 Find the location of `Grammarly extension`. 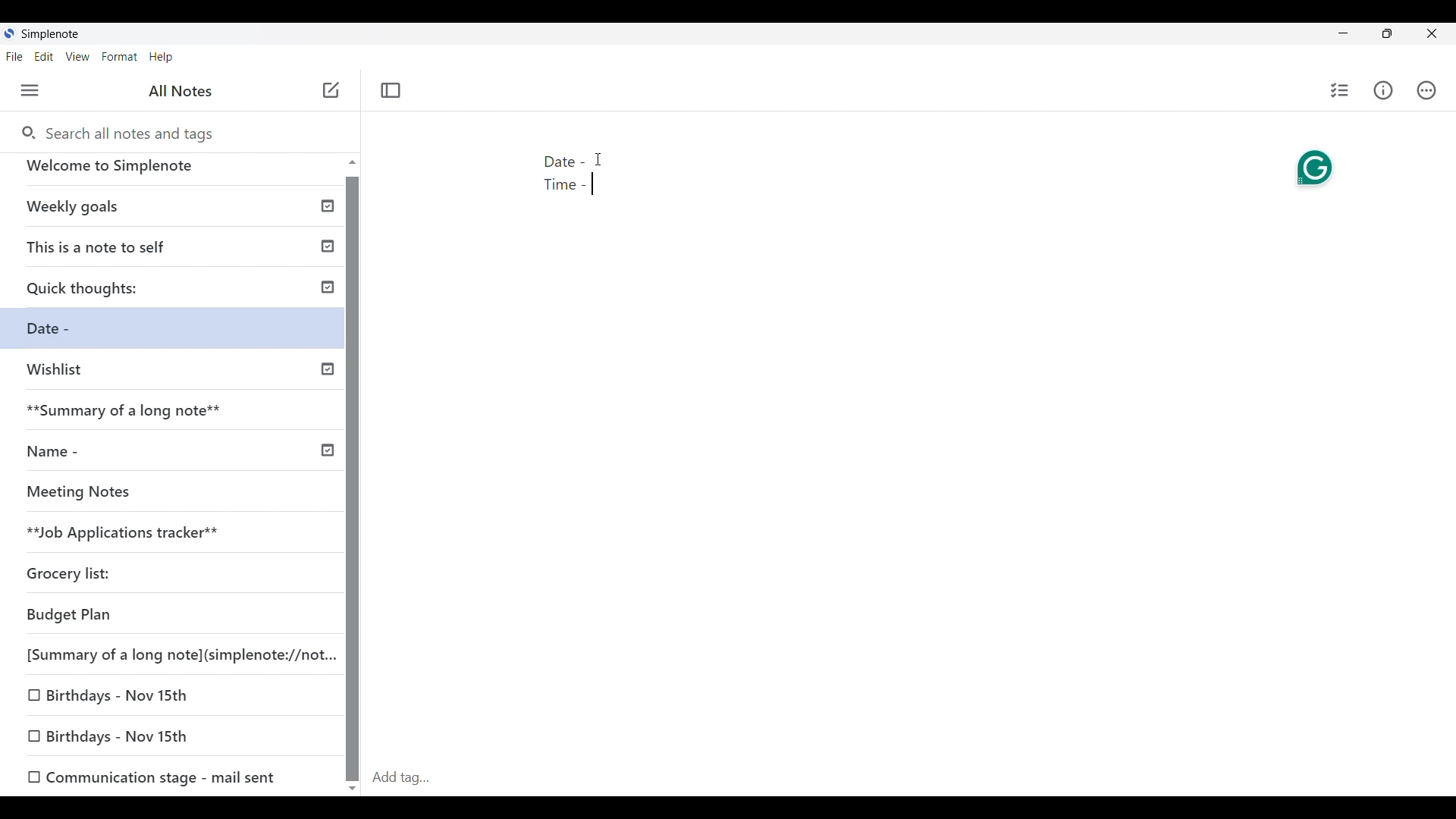

Grammarly extension is located at coordinates (1316, 168).